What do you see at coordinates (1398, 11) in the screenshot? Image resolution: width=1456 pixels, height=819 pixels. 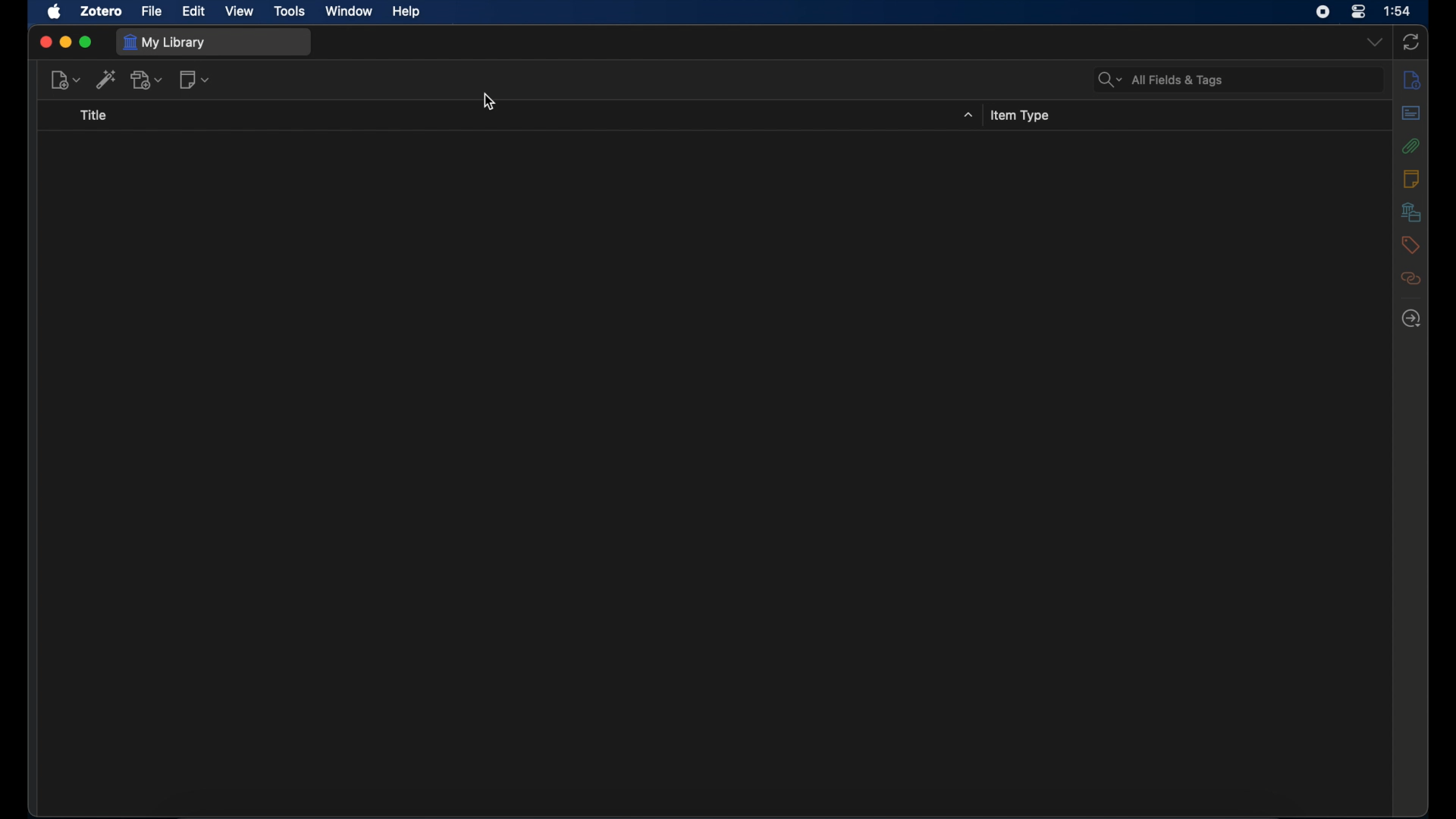 I see `time` at bounding box center [1398, 11].